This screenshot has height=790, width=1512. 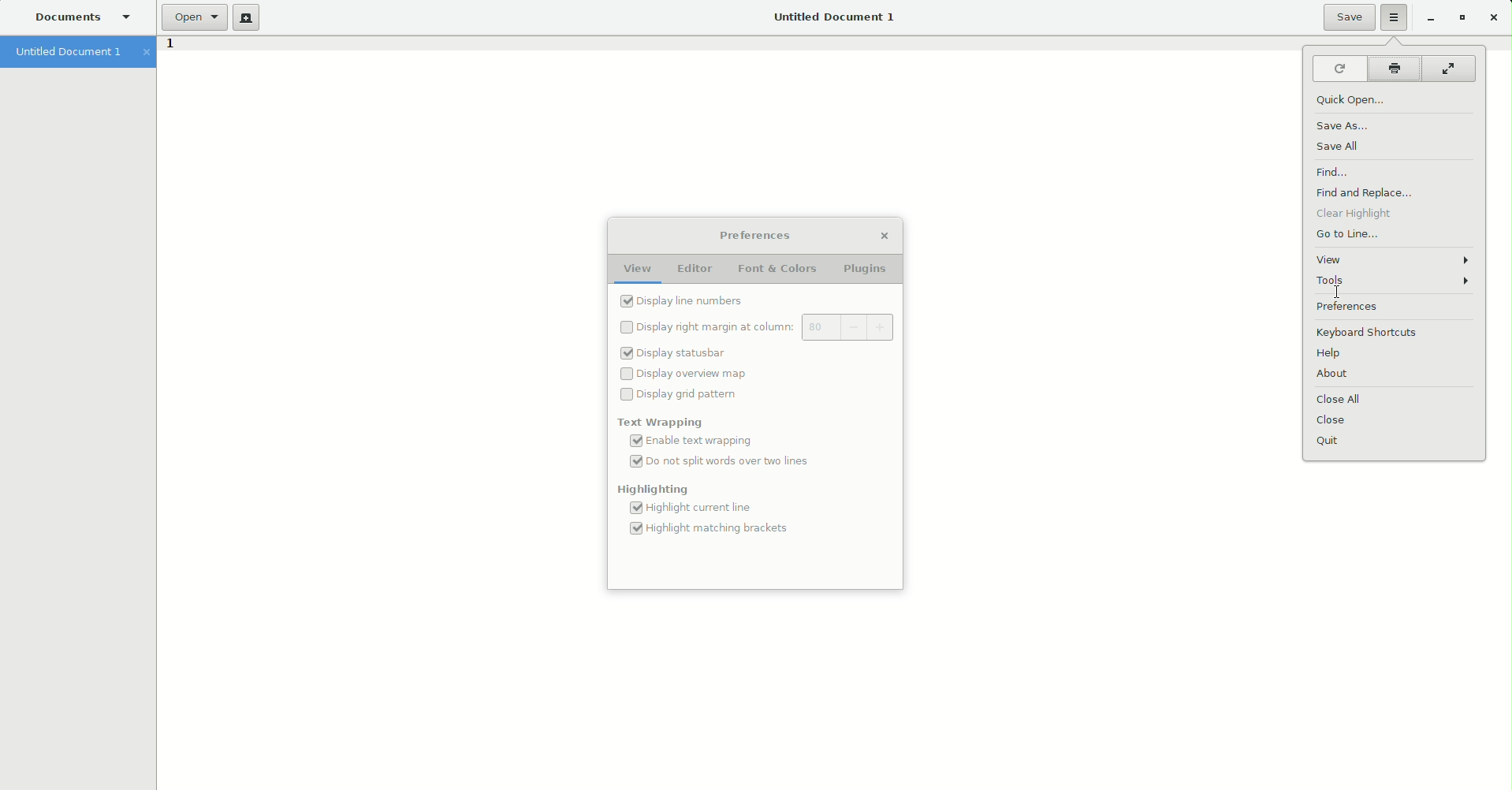 I want to click on Display right margin at column, so click(x=708, y=326).